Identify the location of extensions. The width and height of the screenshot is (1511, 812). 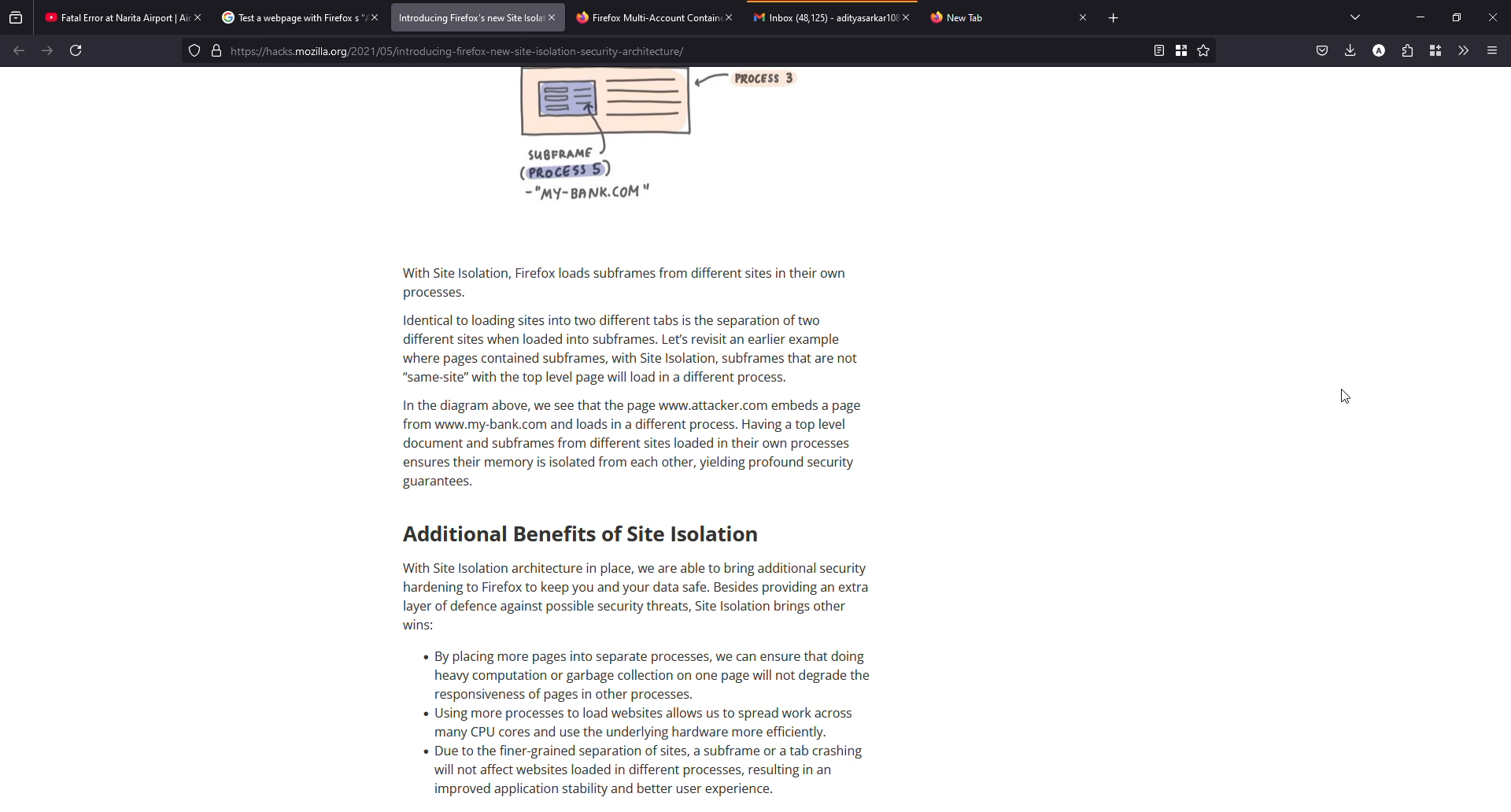
(1407, 50).